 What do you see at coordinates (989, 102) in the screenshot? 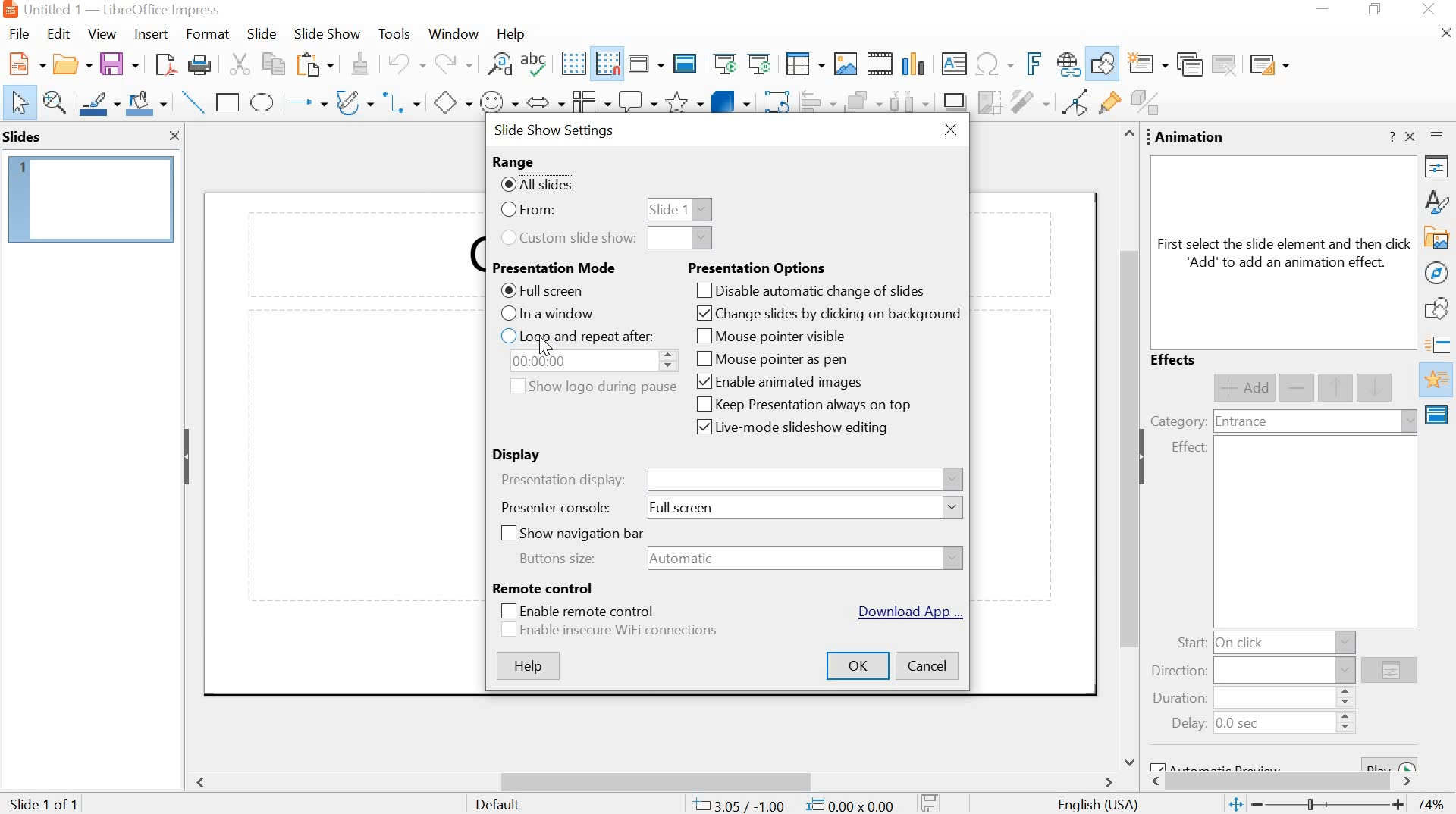
I see `crop image` at bounding box center [989, 102].